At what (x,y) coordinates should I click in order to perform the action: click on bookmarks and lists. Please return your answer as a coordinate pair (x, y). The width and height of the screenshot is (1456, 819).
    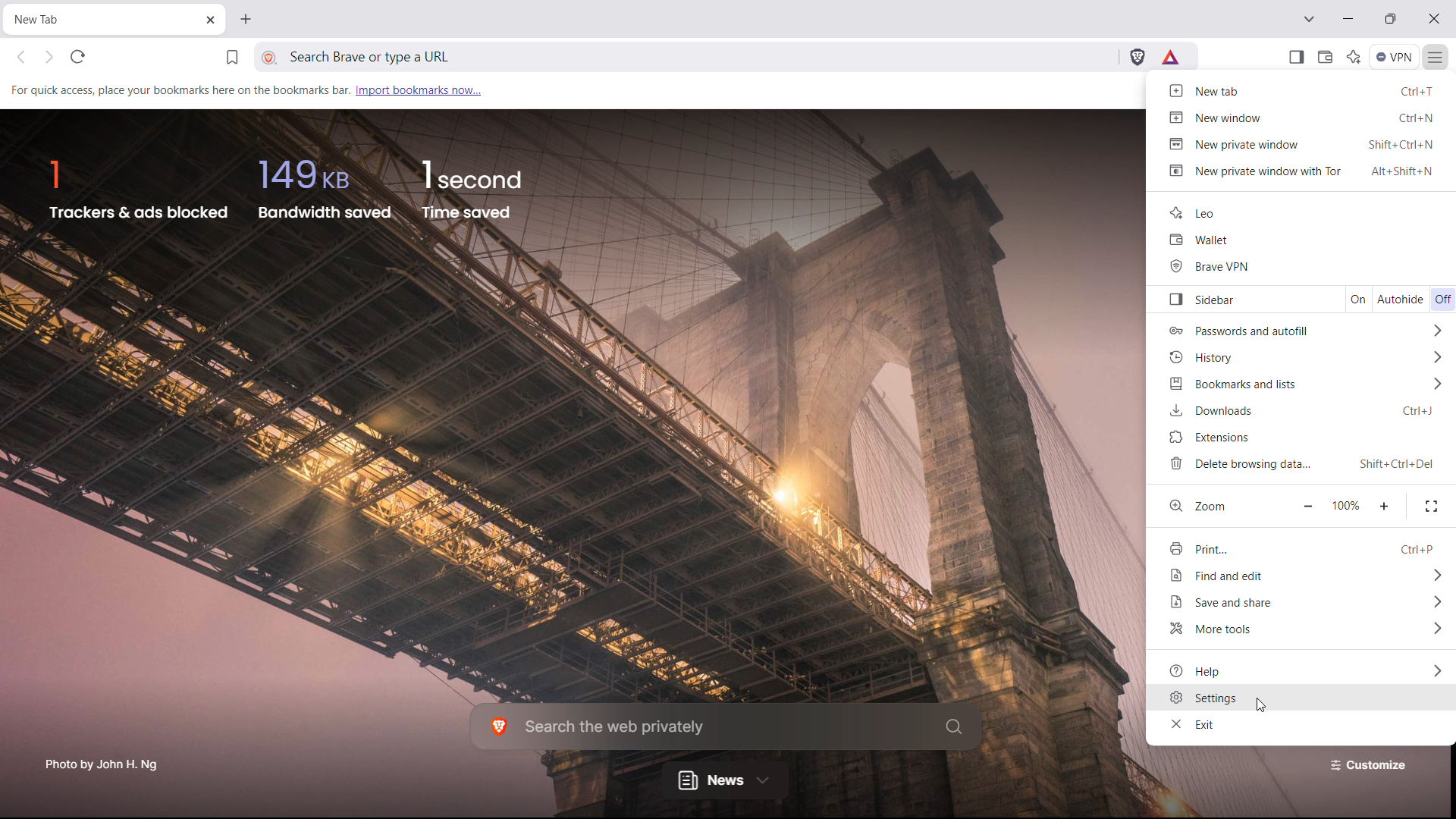
    Looking at the image, I should click on (1304, 382).